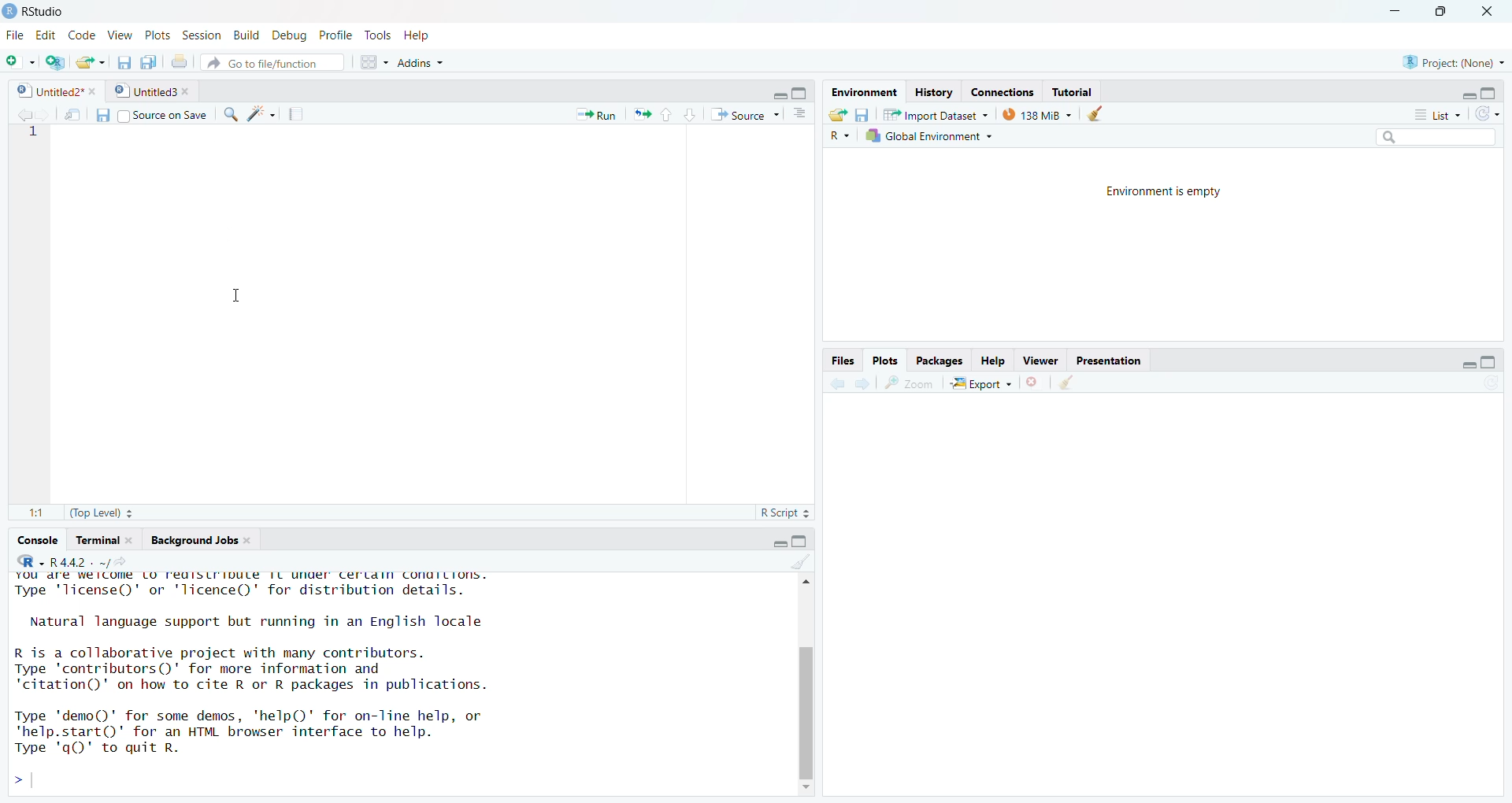  What do you see at coordinates (200, 35) in the screenshot?
I see `Session` at bounding box center [200, 35].